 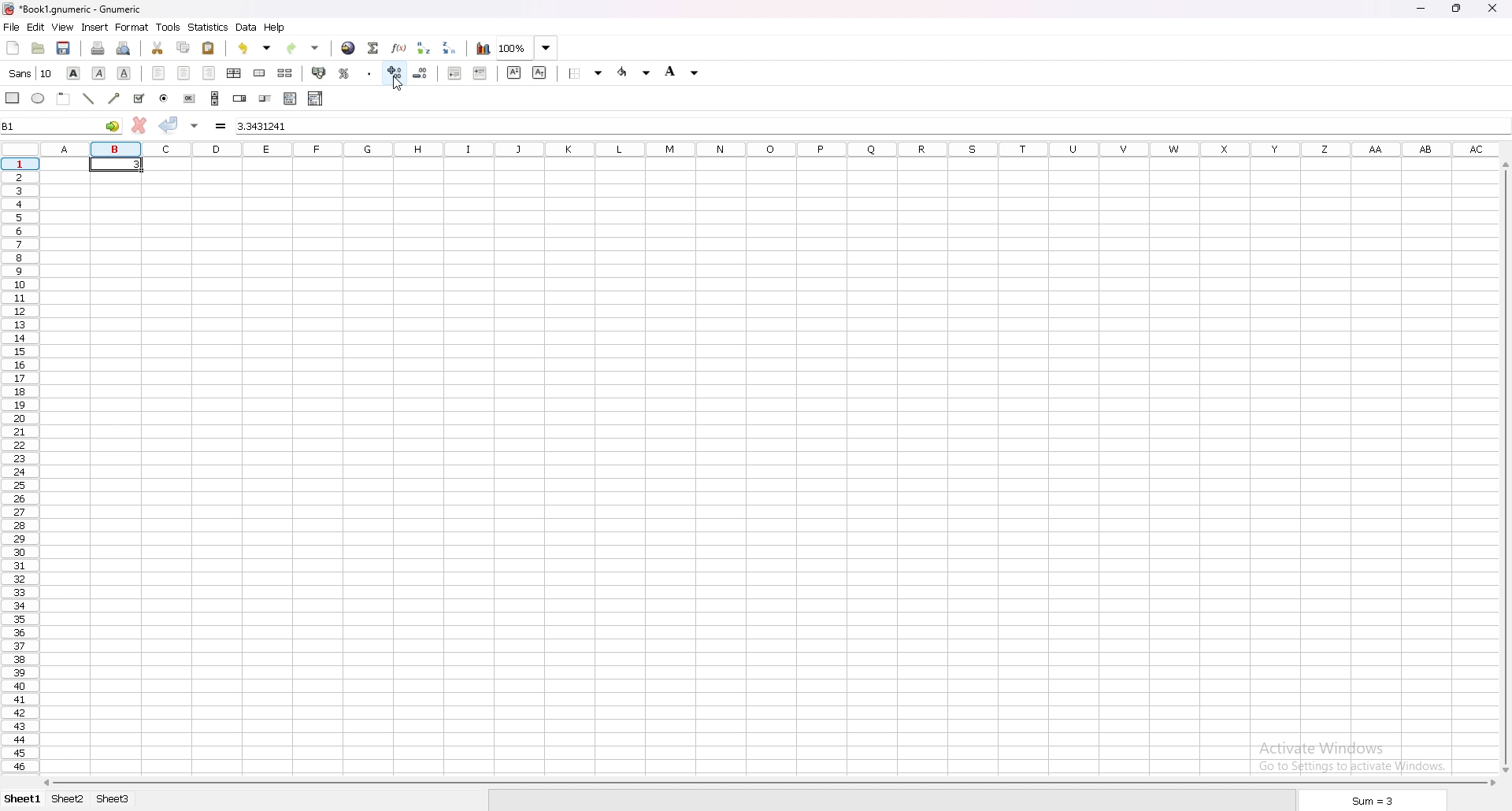 I want to click on tools, so click(x=169, y=27).